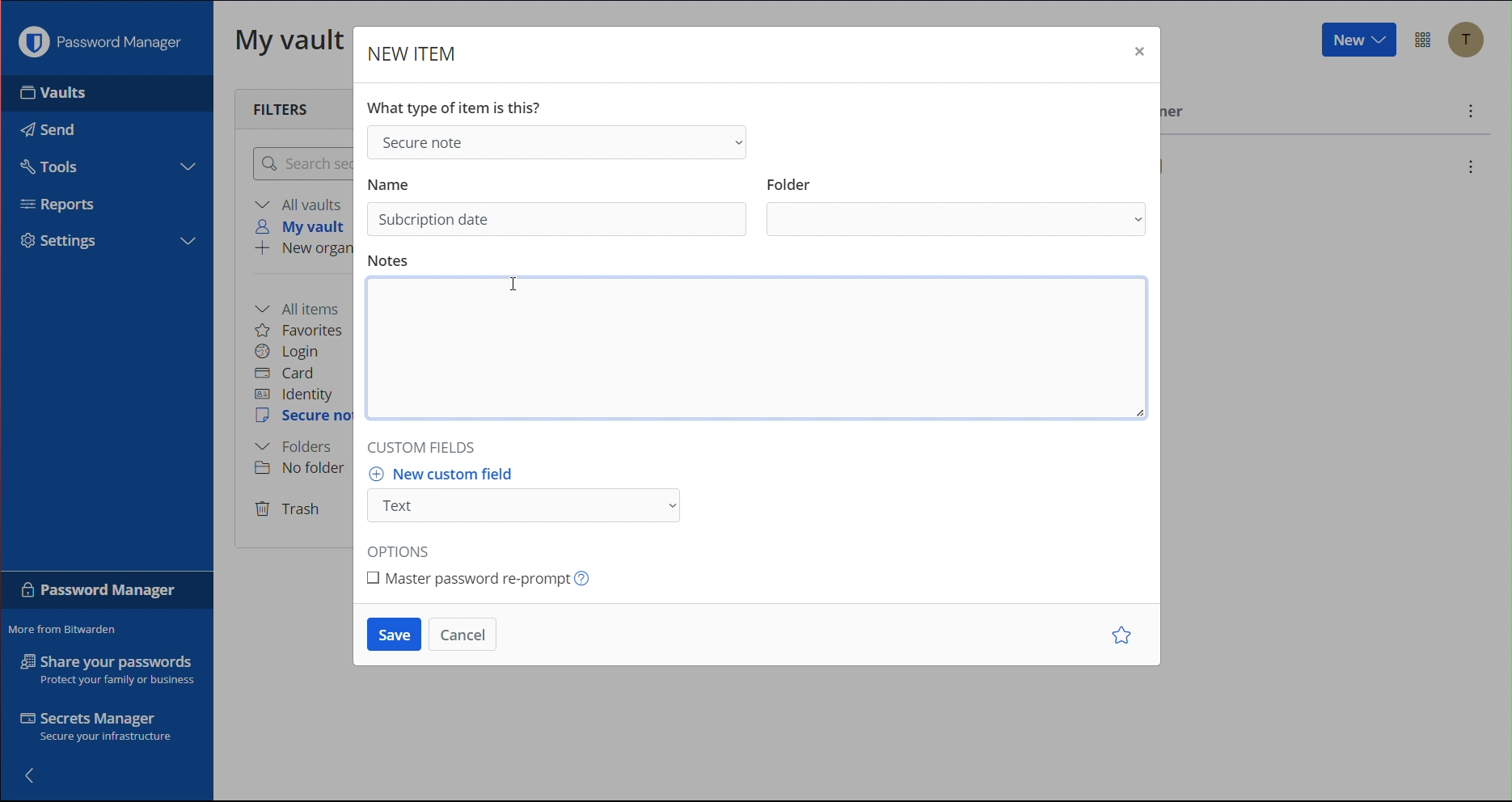  Describe the element at coordinates (765, 352) in the screenshot. I see `Notes` at that location.